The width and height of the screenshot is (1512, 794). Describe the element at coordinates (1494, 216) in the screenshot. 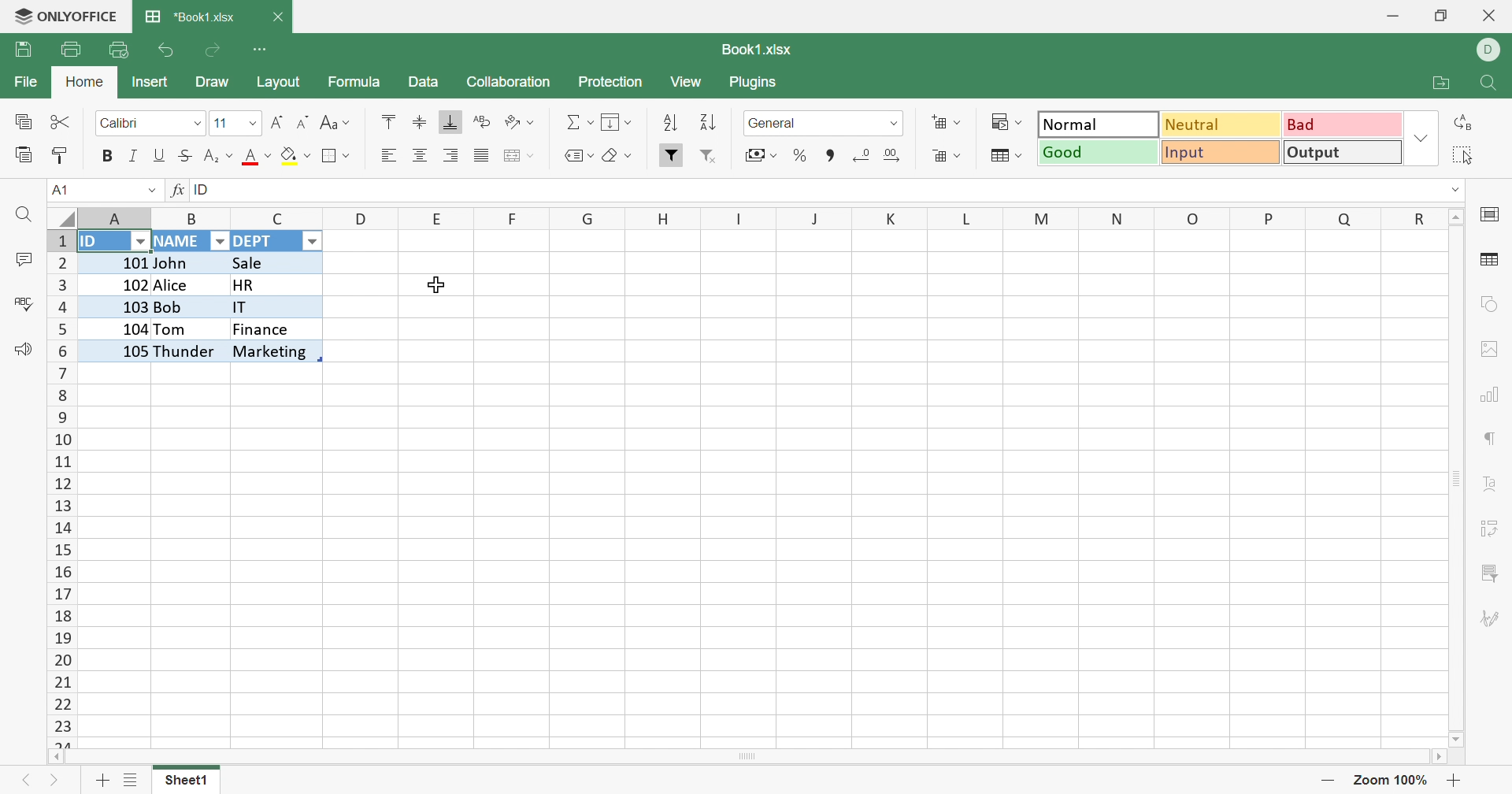

I see `cell settings` at that location.